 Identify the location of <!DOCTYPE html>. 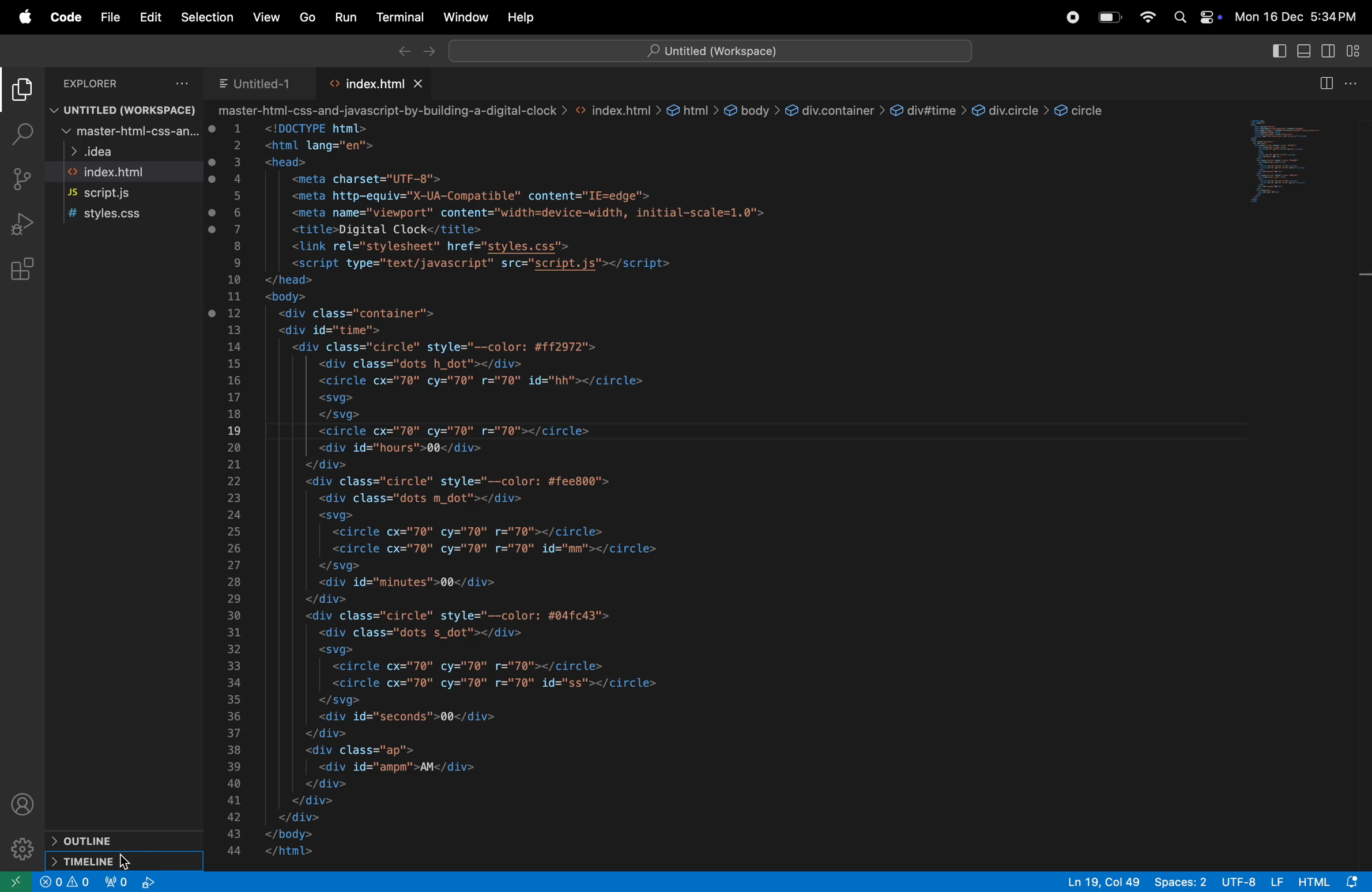
(318, 128).